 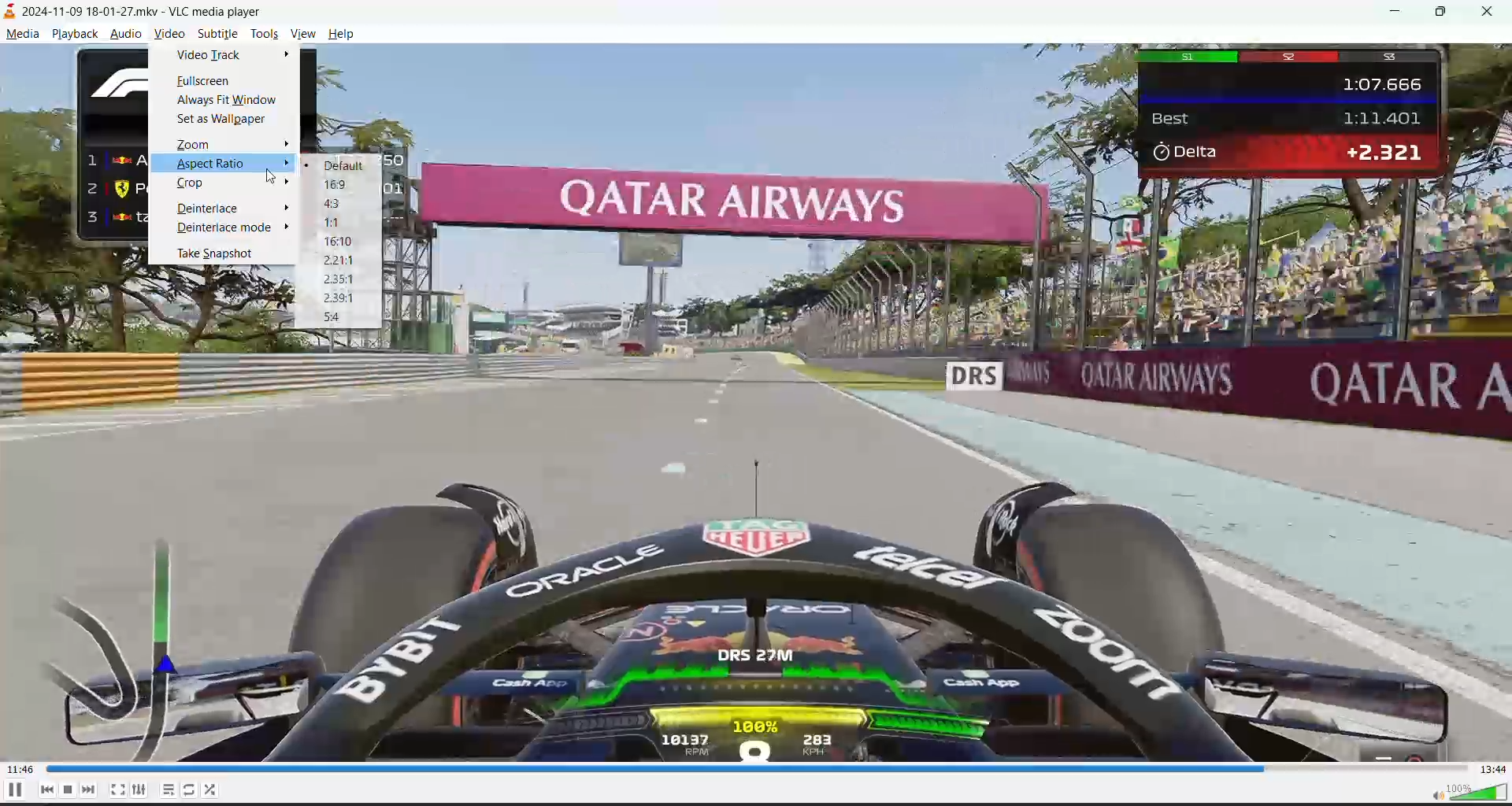 I want to click on zoom, so click(x=199, y=144).